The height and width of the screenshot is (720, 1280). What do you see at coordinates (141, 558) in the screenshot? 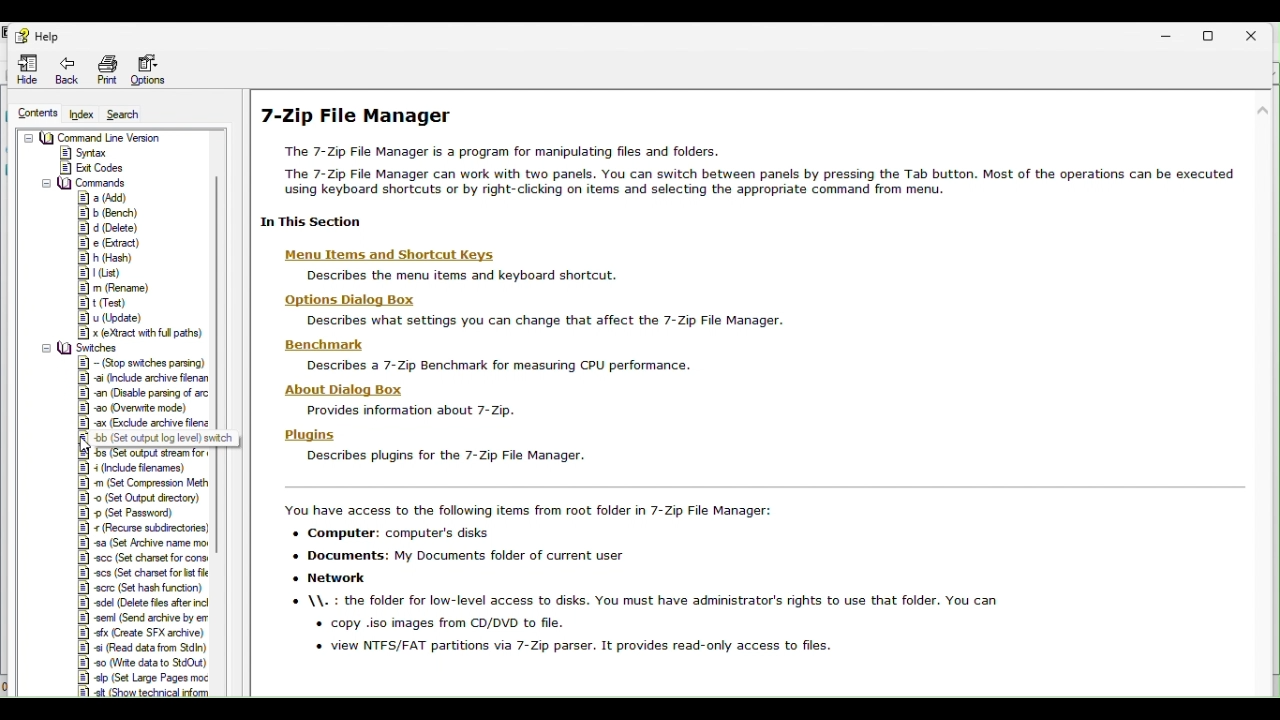
I see `|] scc (Set charset for cons` at bounding box center [141, 558].